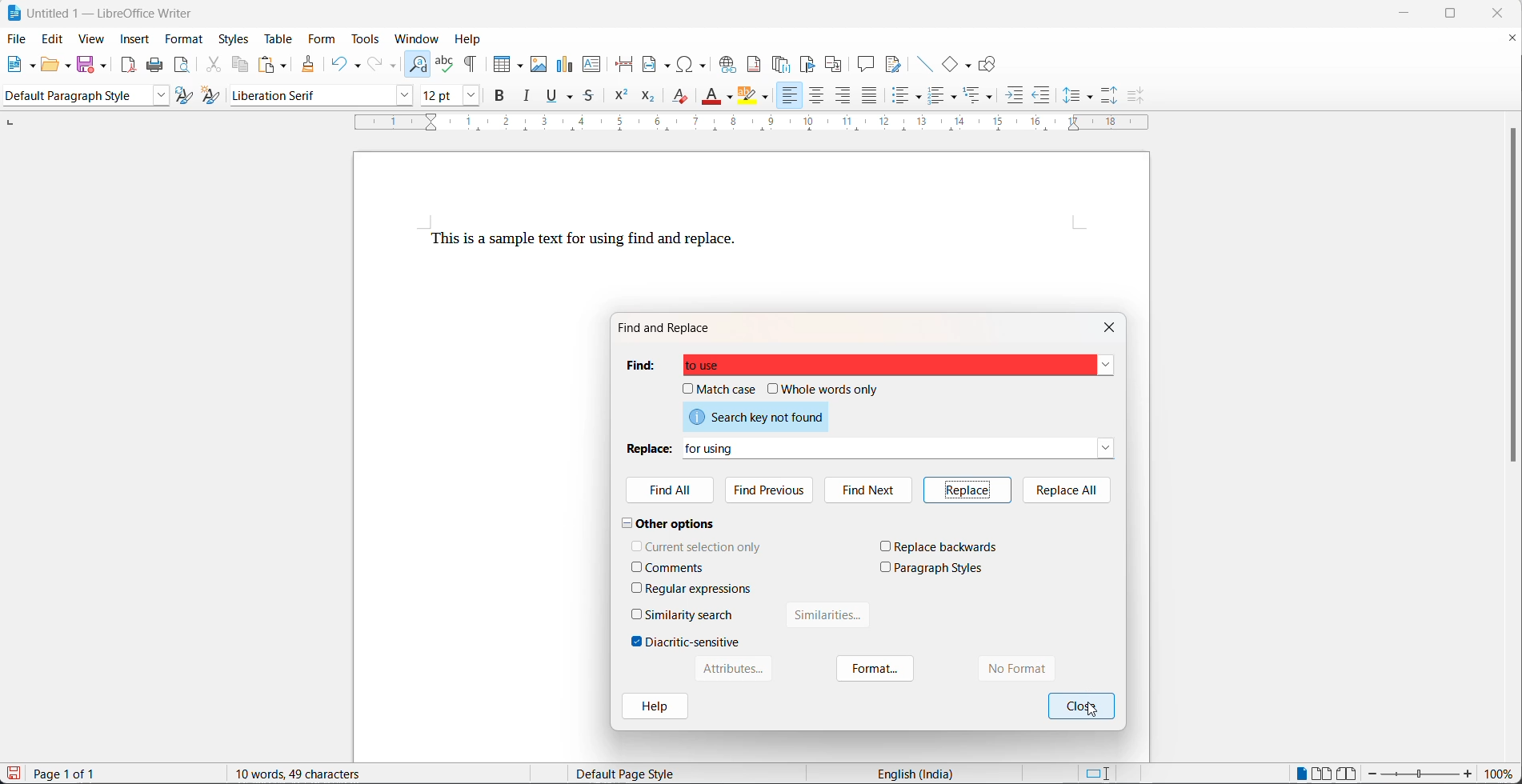  What do you see at coordinates (690, 614) in the screenshot?
I see `similarity search` at bounding box center [690, 614].